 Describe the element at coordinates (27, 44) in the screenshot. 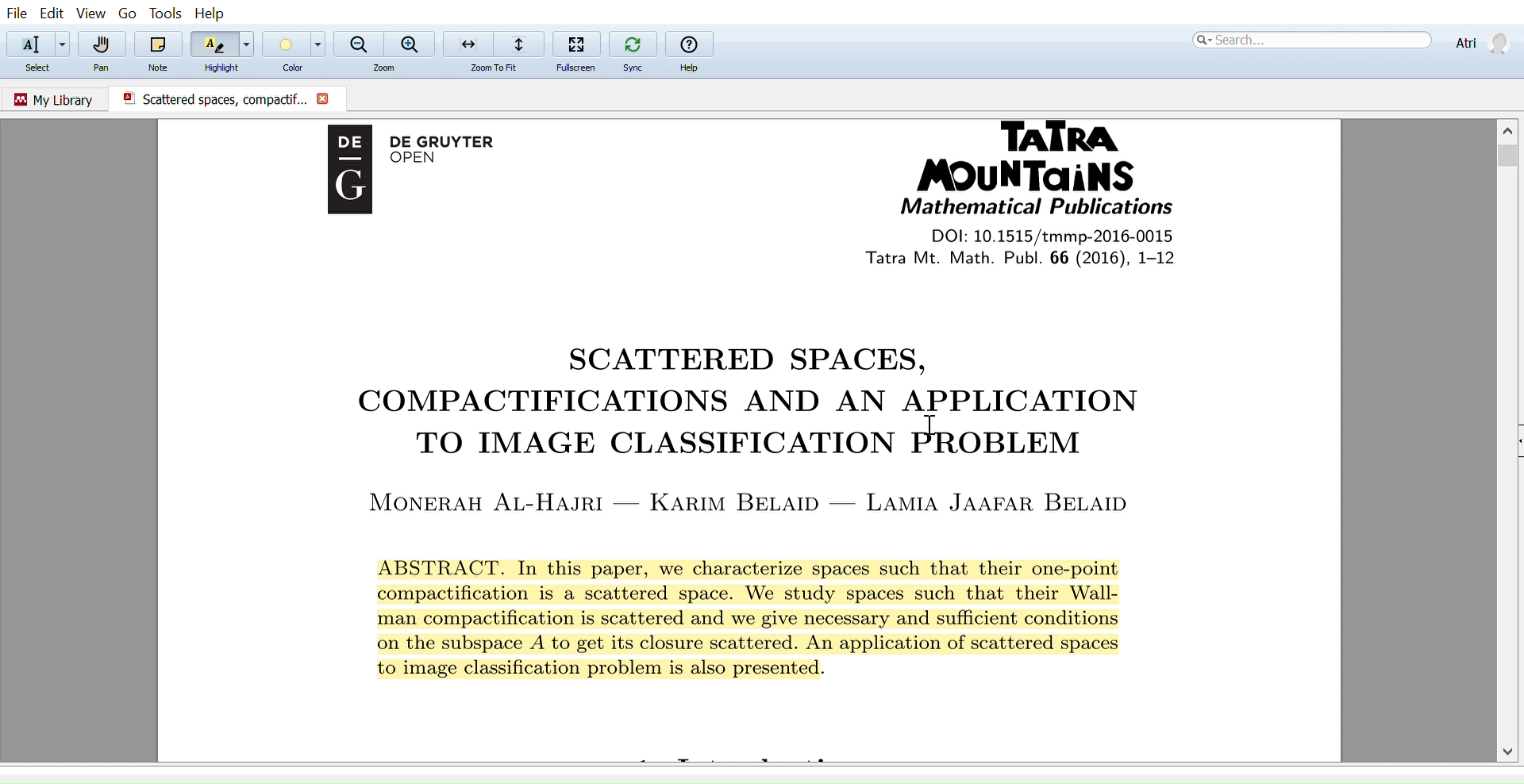

I see `Select text` at that location.